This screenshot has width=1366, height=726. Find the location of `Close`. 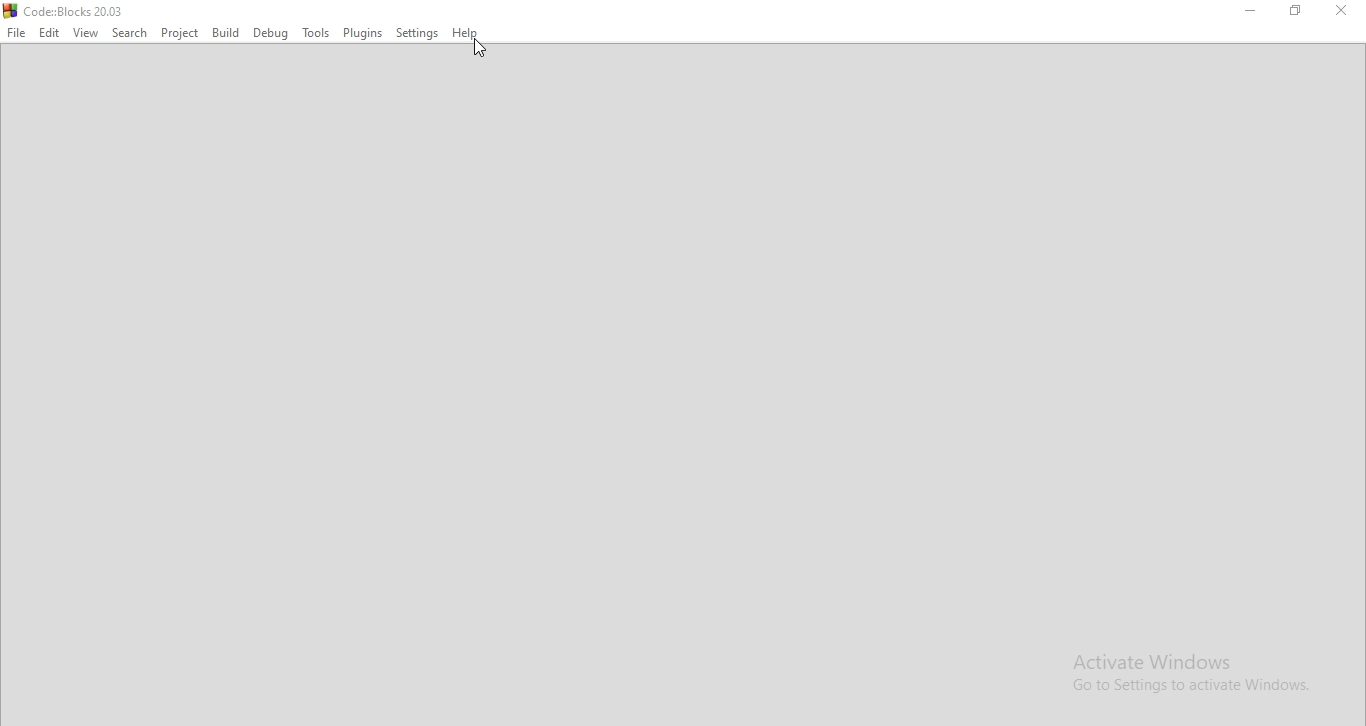

Close is located at coordinates (1337, 11).